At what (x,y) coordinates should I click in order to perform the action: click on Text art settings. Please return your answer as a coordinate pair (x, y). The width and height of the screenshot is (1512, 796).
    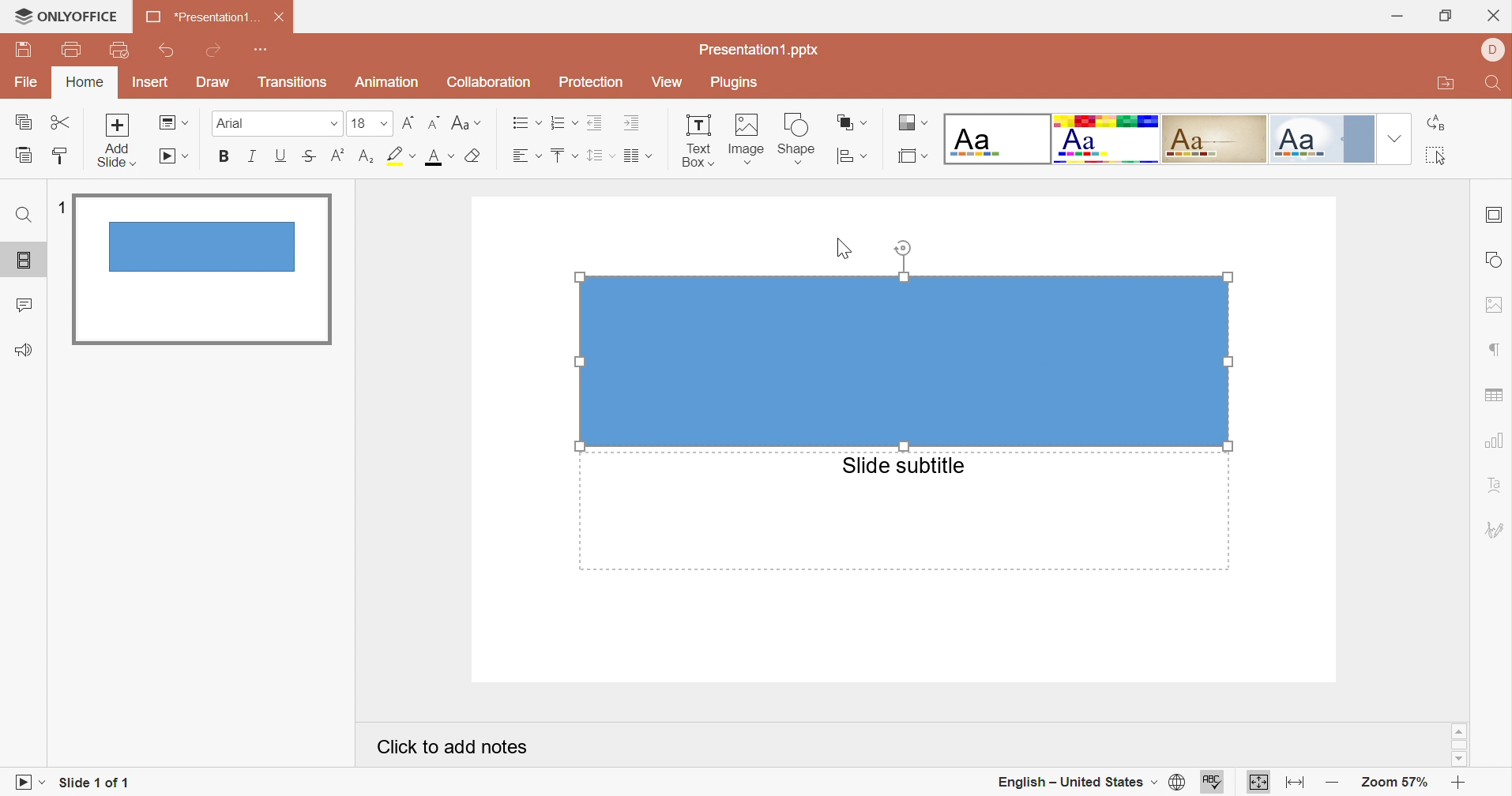
    Looking at the image, I should click on (1496, 484).